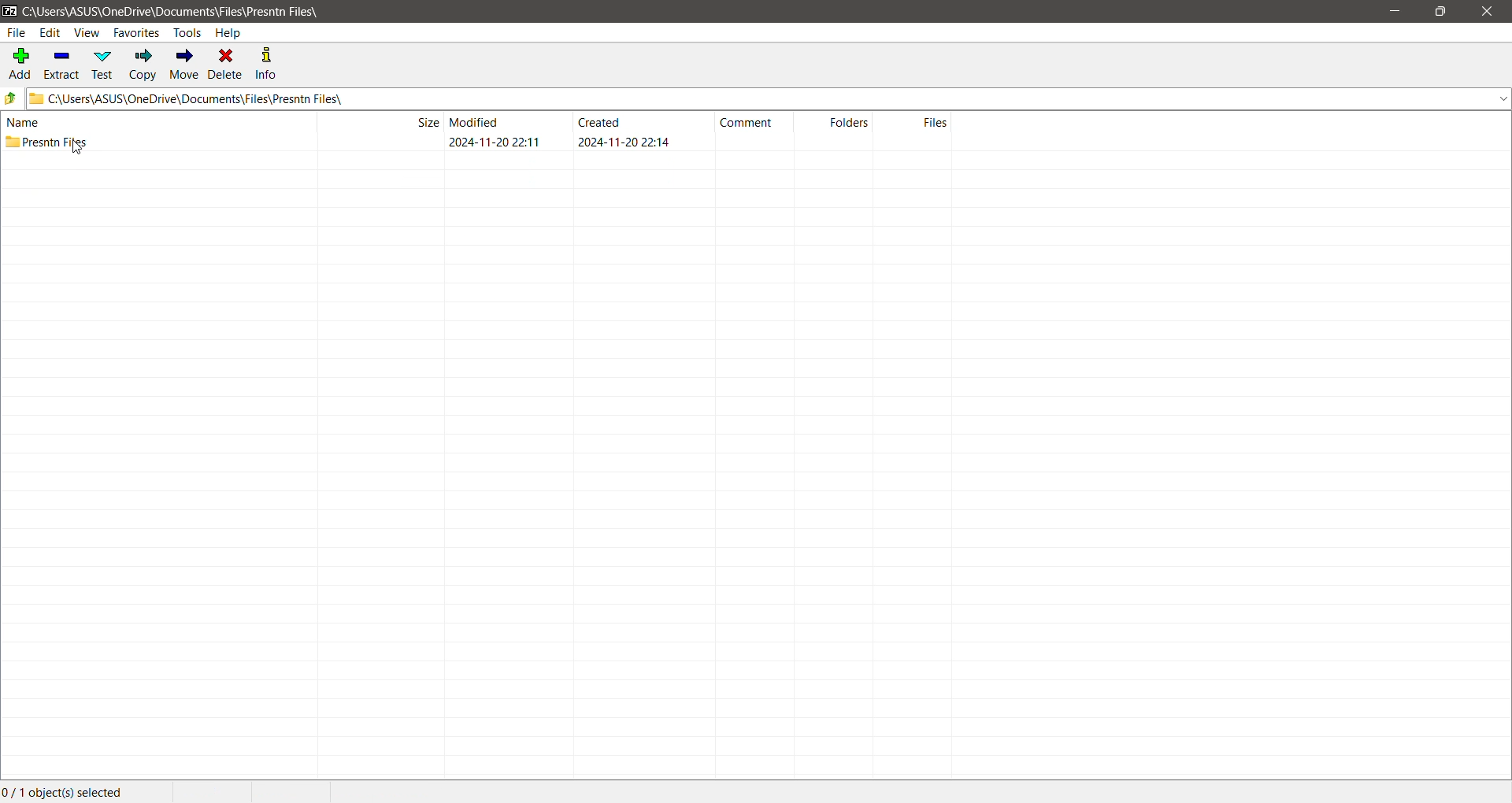  I want to click on folders, so click(849, 121).